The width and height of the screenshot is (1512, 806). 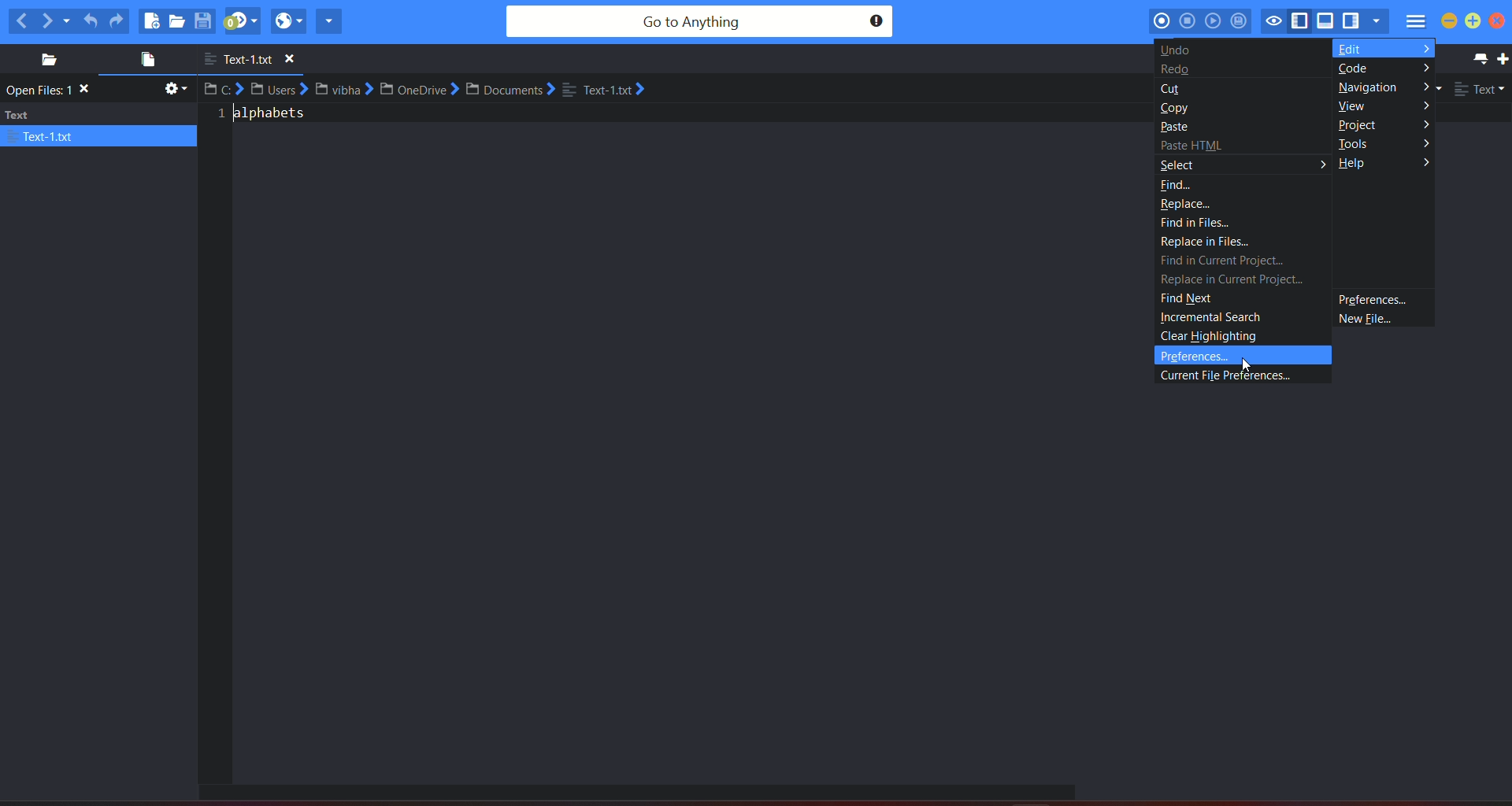 What do you see at coordinates (1449, 21) in the screenshot?
I see `minimize` at bounding box center [1449, 21].